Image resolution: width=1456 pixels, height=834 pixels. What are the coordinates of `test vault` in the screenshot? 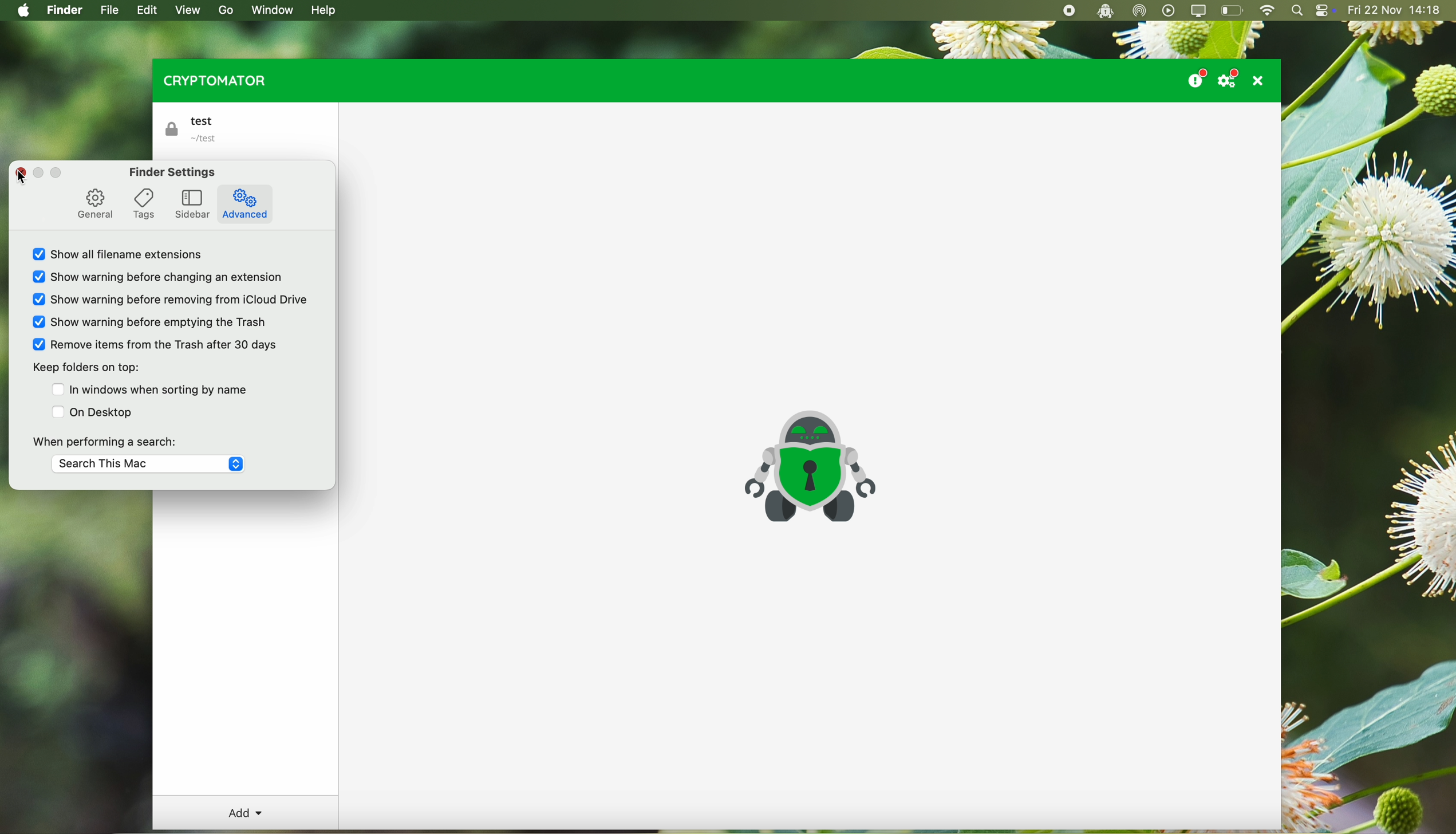 It's located at (196, 129).